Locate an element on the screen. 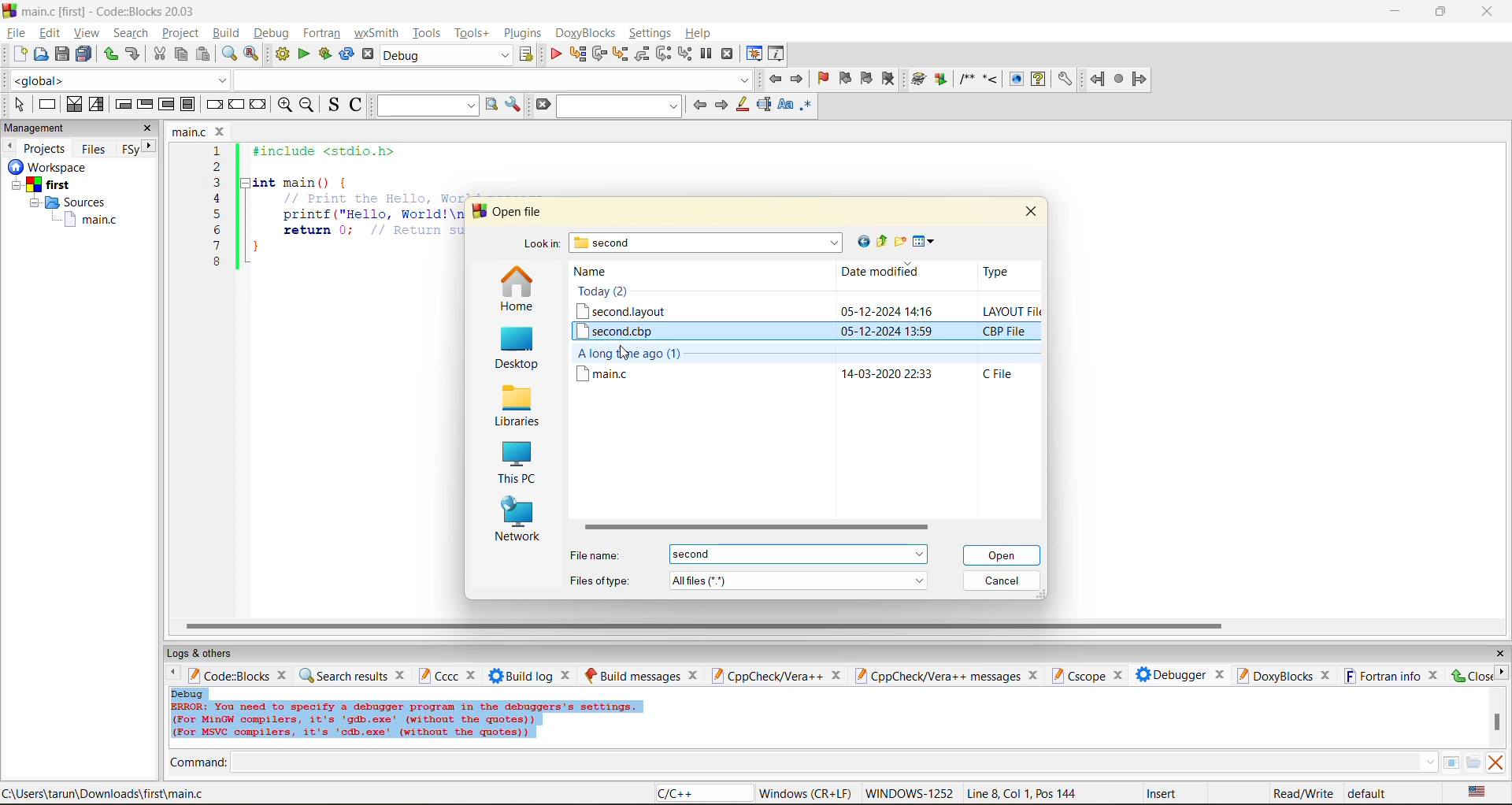  help is located at coordinates (700, 33).